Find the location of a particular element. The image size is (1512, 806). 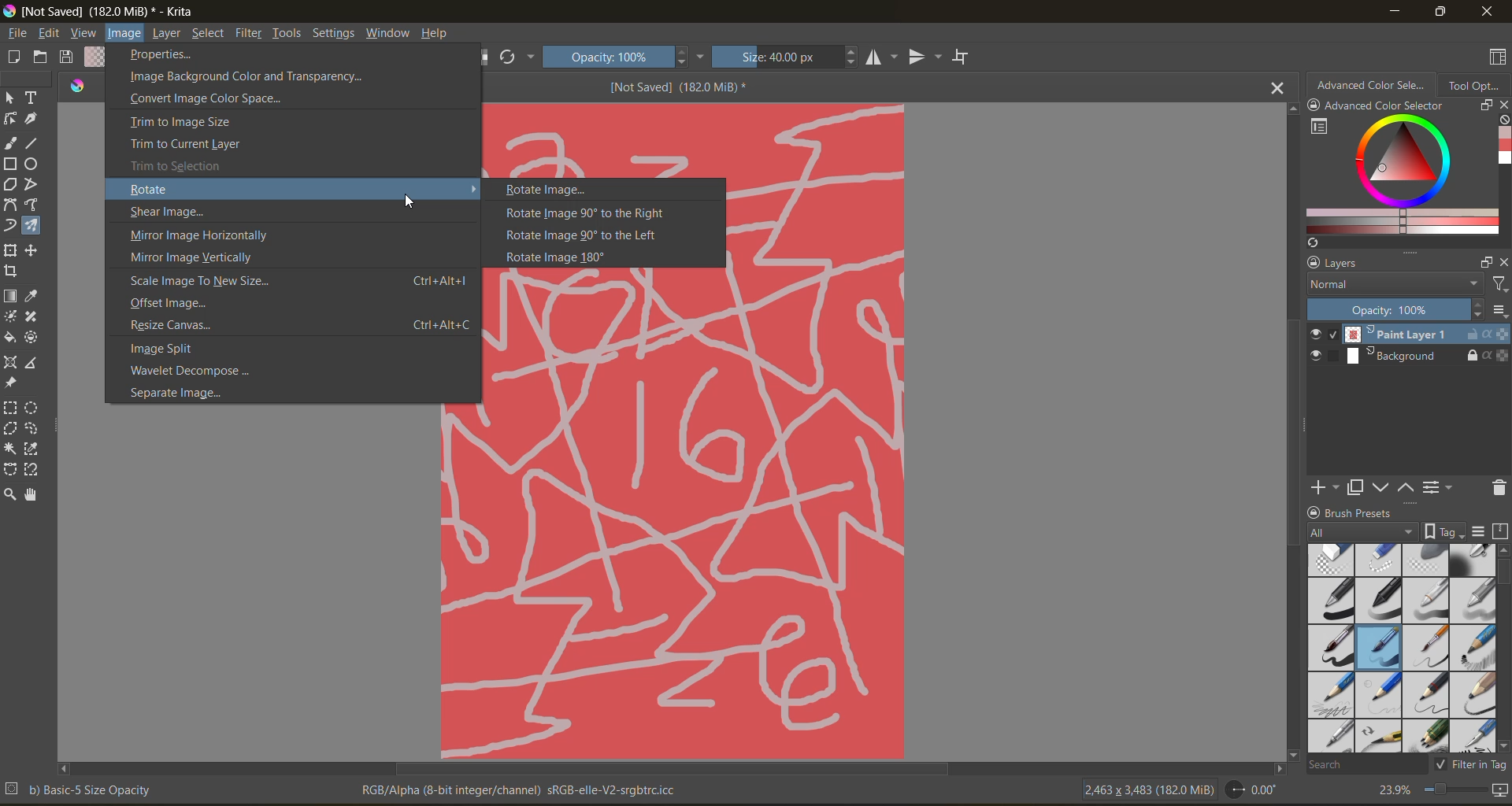

close docker is located at coordinates (1503, 263).